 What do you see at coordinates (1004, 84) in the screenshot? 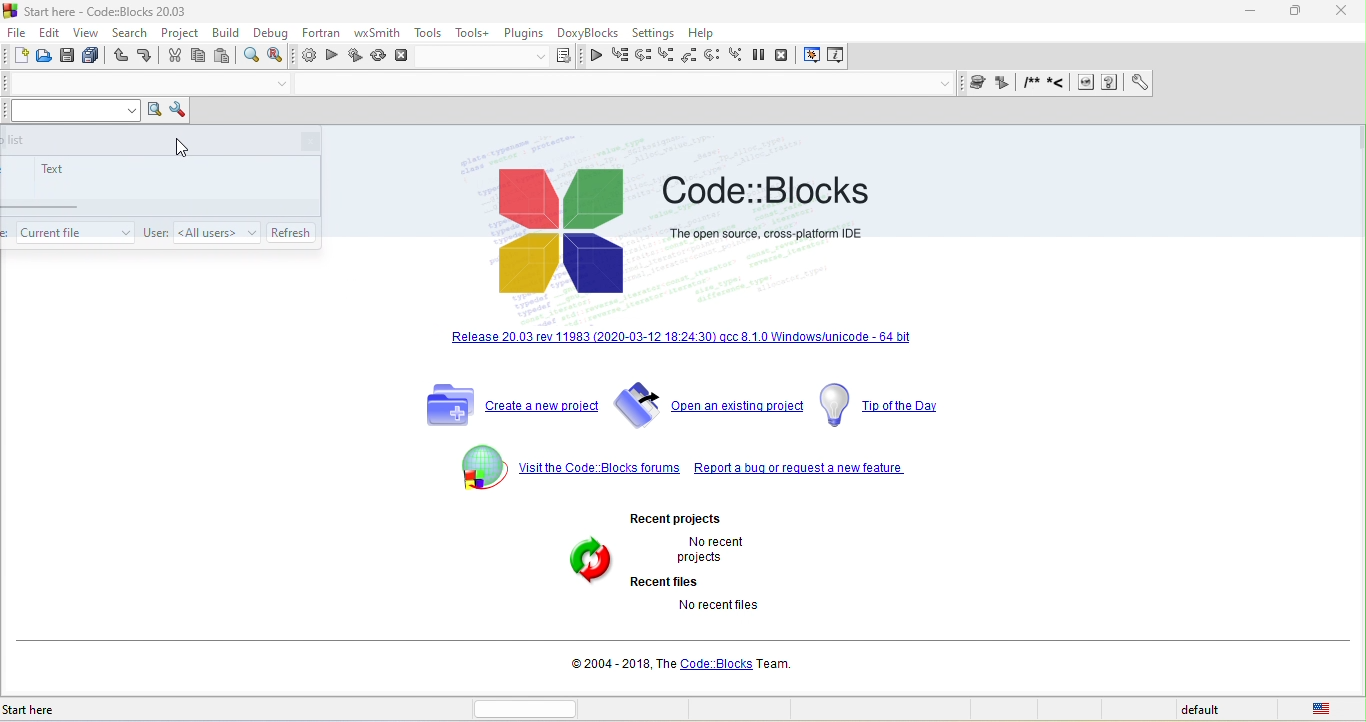
I see `extract documentation` at bounding box center [1004, 84].